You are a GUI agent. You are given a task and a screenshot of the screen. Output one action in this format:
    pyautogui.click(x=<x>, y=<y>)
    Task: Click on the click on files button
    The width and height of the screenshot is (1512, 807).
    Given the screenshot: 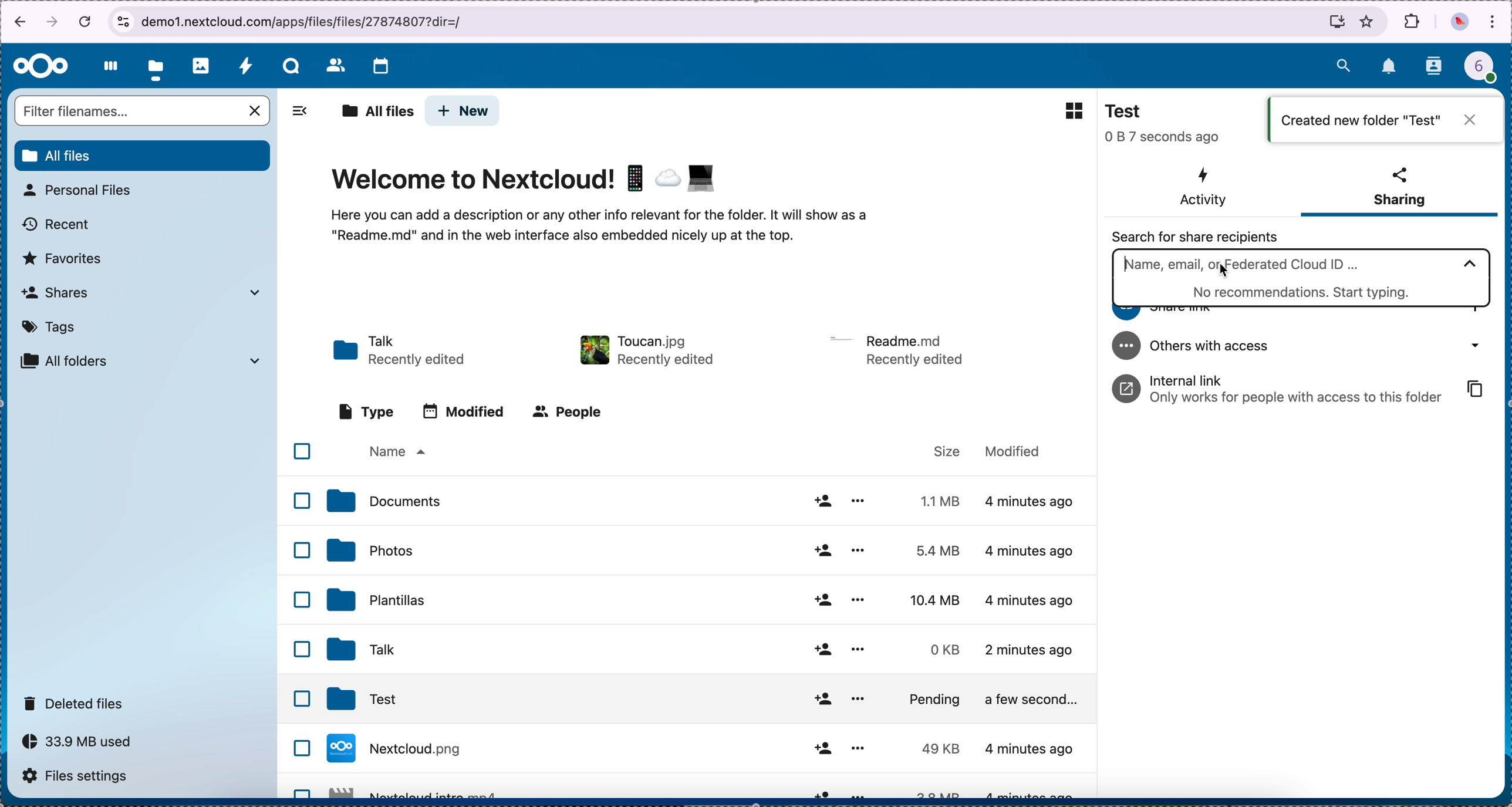 What is the action you would take?
    pyautogui.click(x=158, y=66)
    